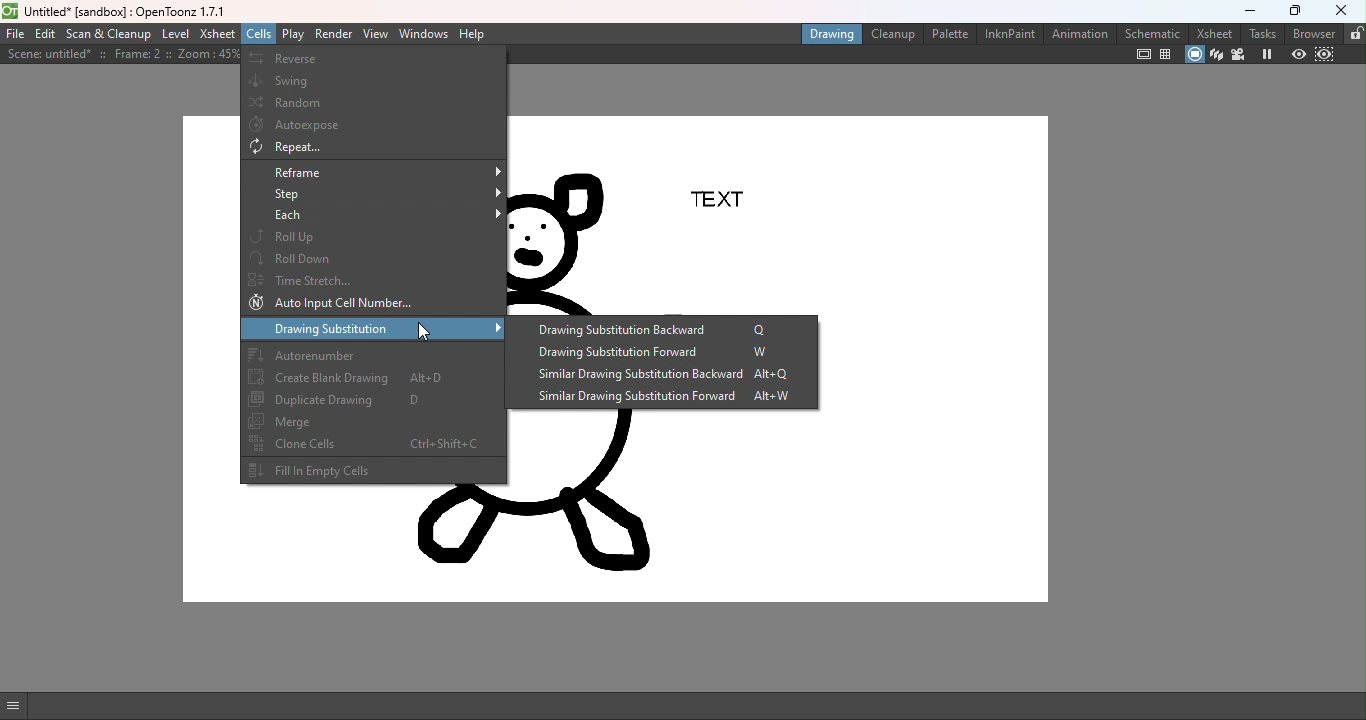 The width and height of the screenshot is (1366, 720). I want to click on Animation, so click(1078, 35).